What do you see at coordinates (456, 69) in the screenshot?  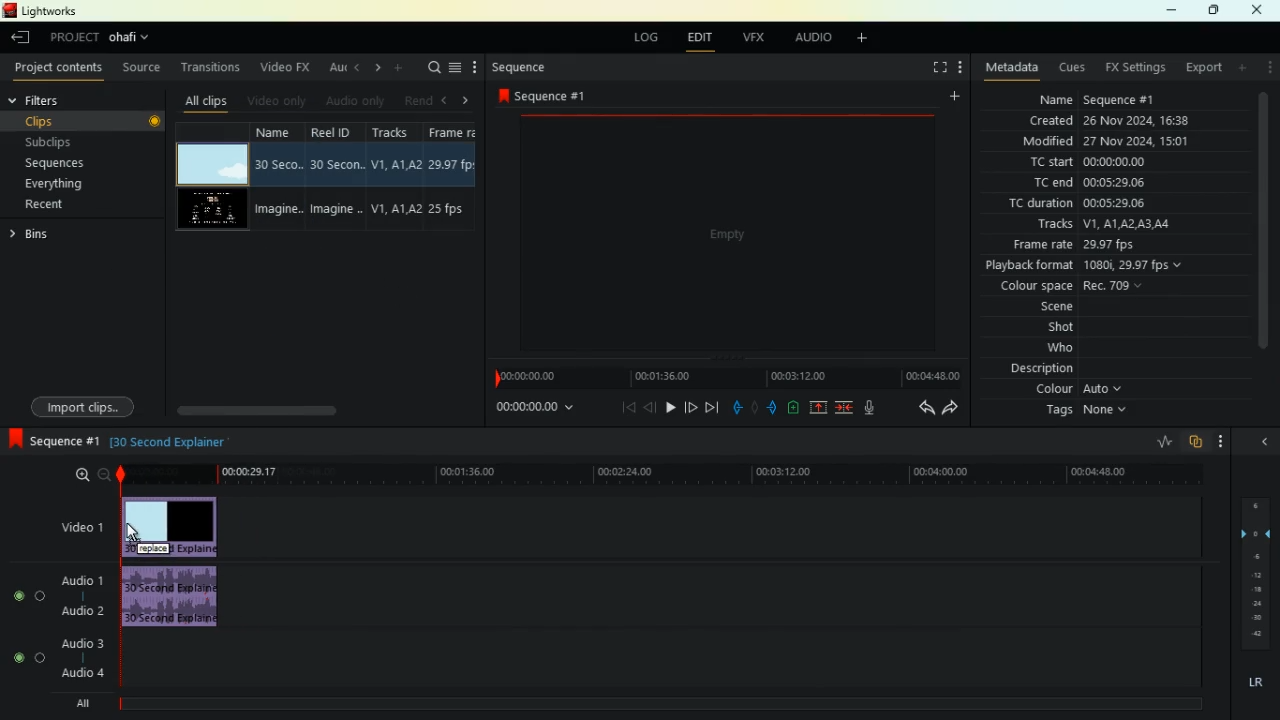 I see `menu` at bounding box center [456, 69].